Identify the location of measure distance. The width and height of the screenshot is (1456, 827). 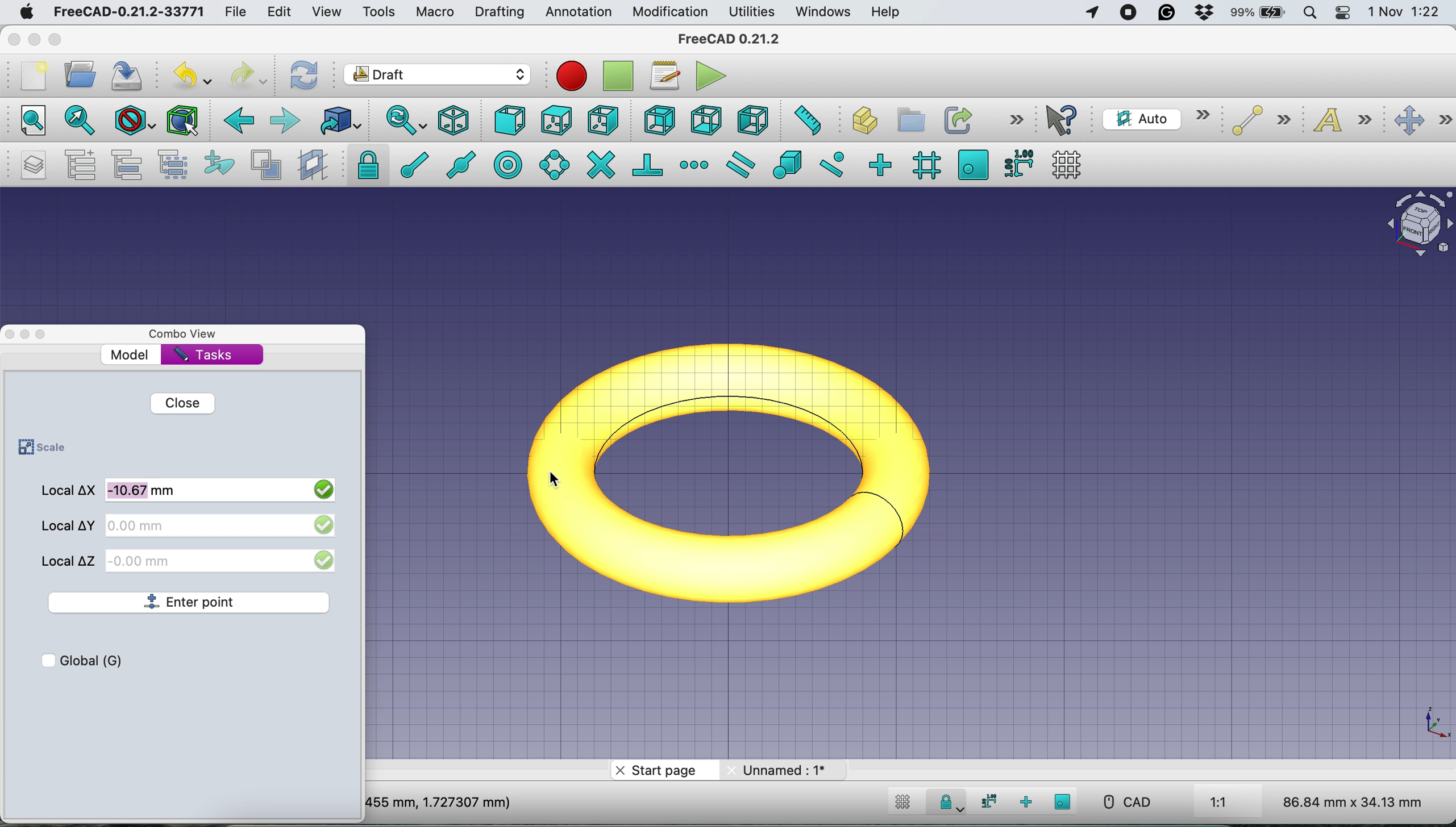
(806, 122).